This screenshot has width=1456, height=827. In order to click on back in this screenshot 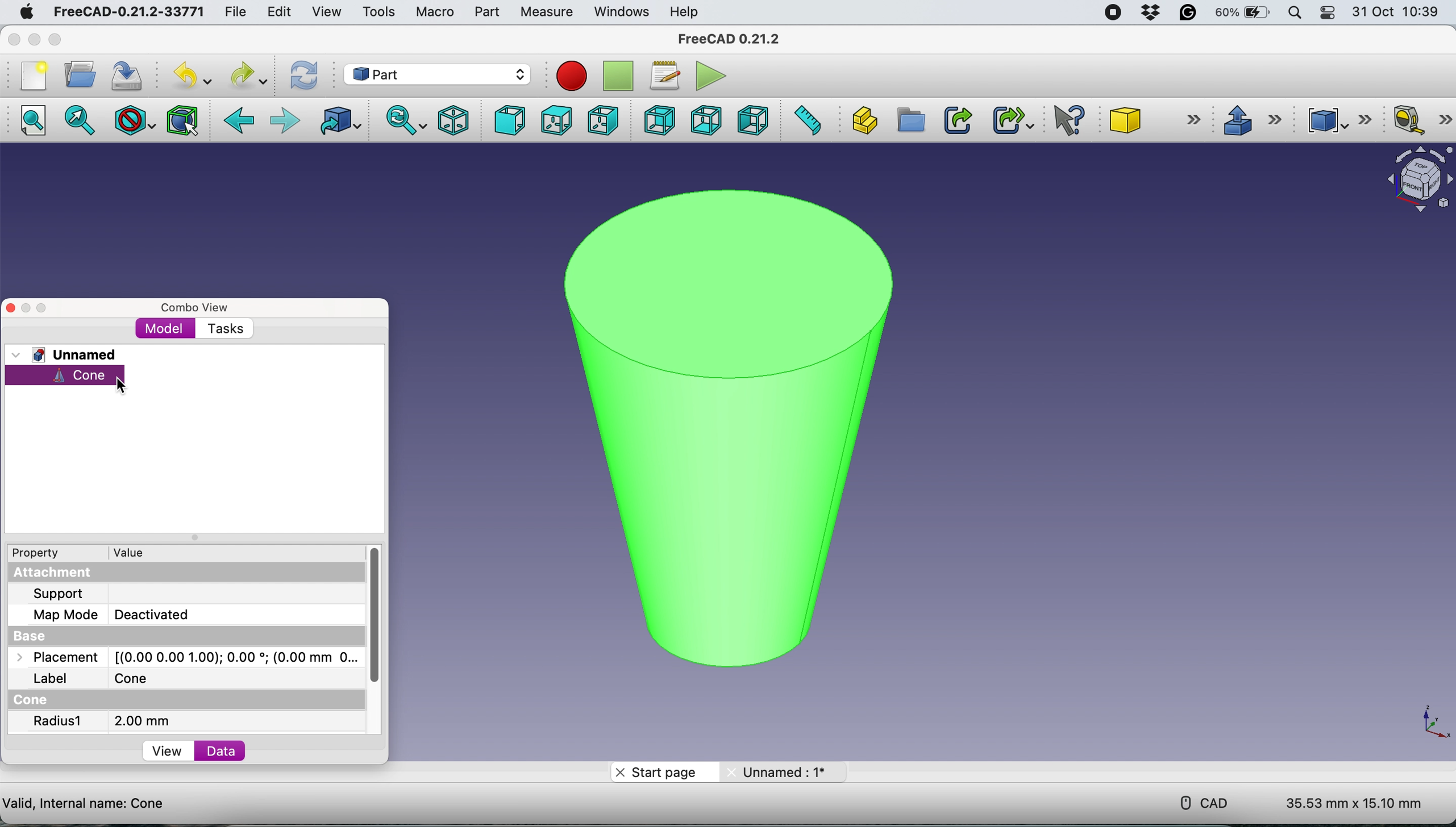, I will do `click(240, 121)`.